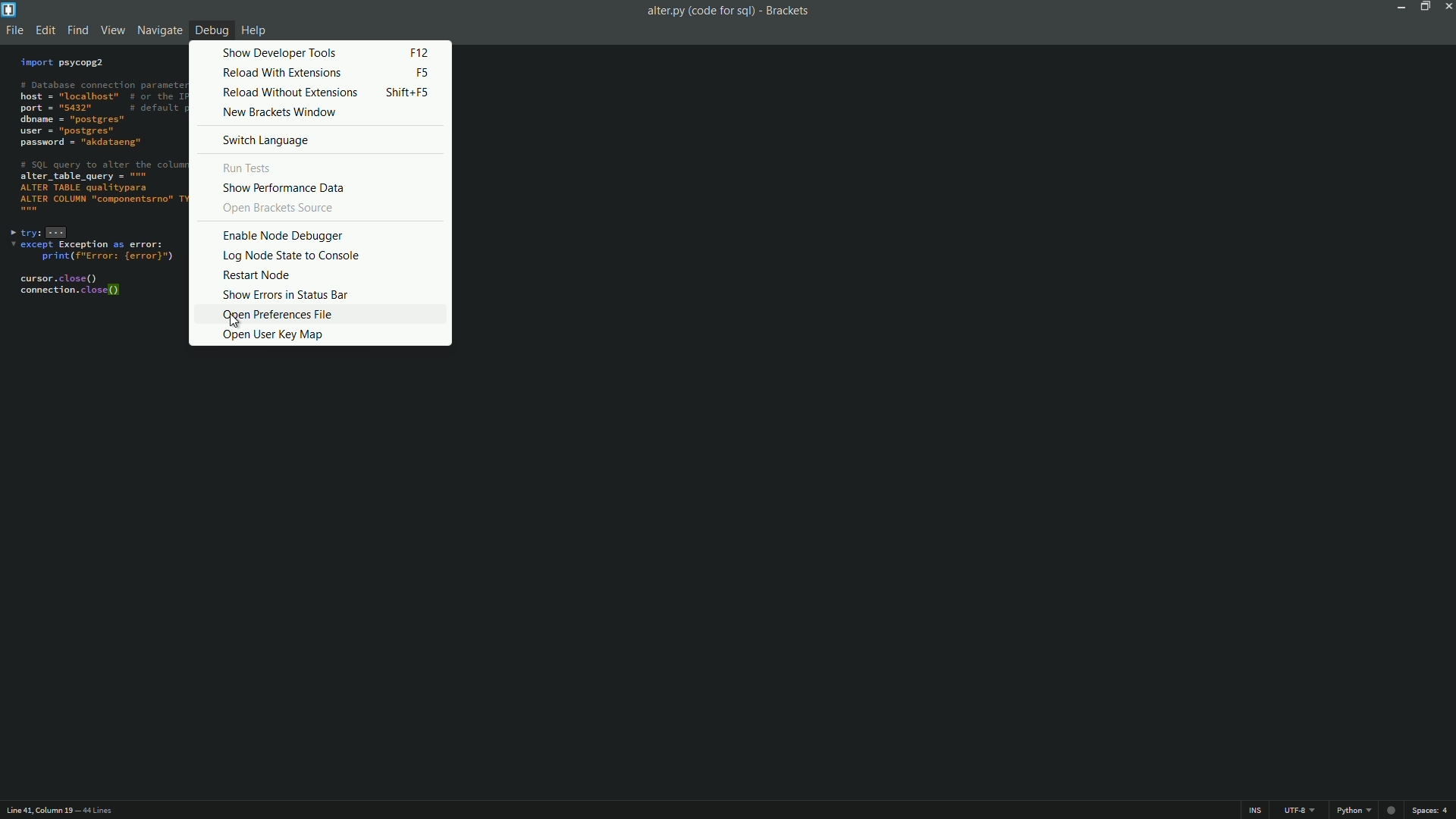  Describe the element at coordinates (312, 187) in the screenshot. I see `Show performance data` at that location.